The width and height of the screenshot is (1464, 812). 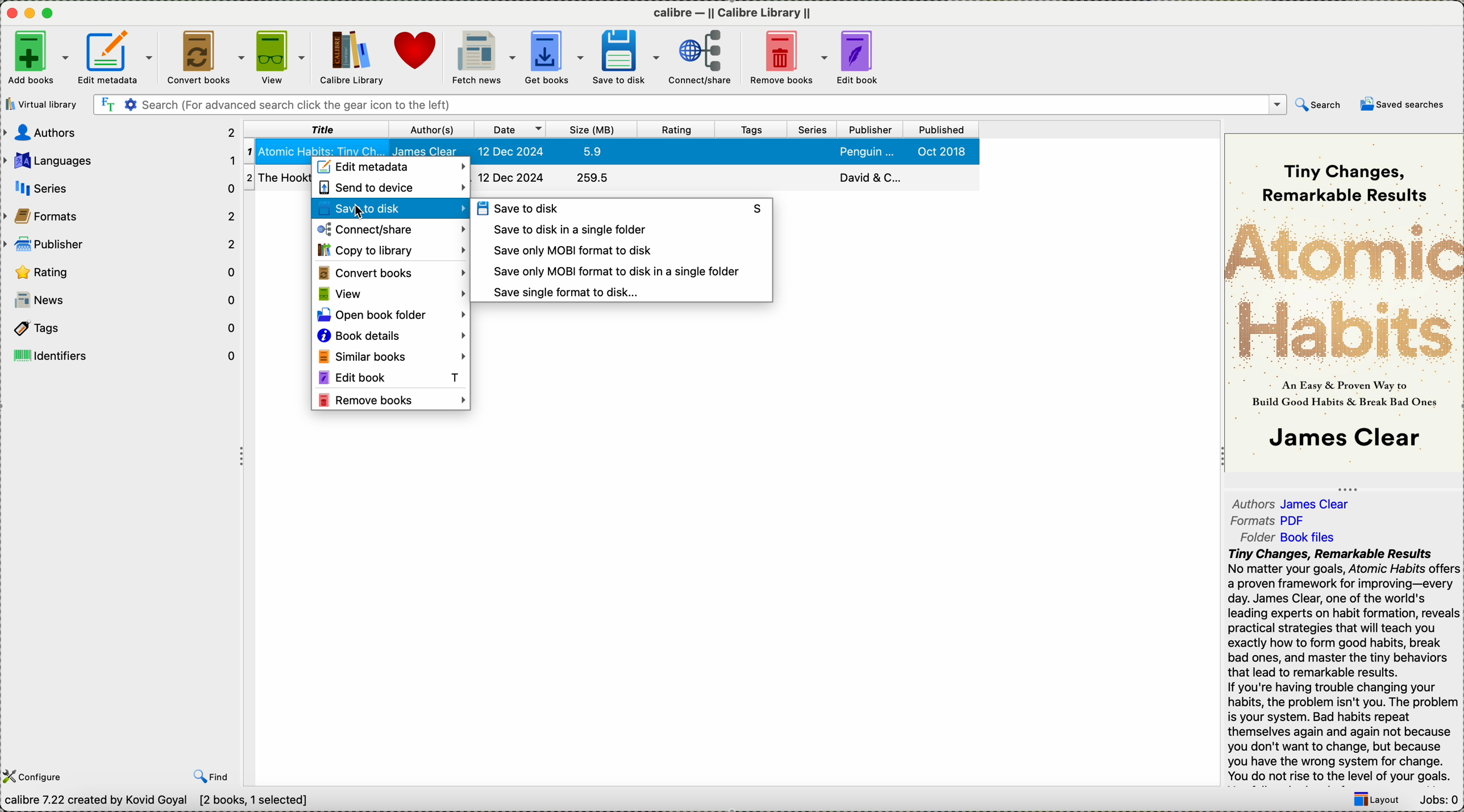 What do you see at coordinates (390, 168) in the screenshot?
I see `edit metadata` at bounding box center [390, 168].